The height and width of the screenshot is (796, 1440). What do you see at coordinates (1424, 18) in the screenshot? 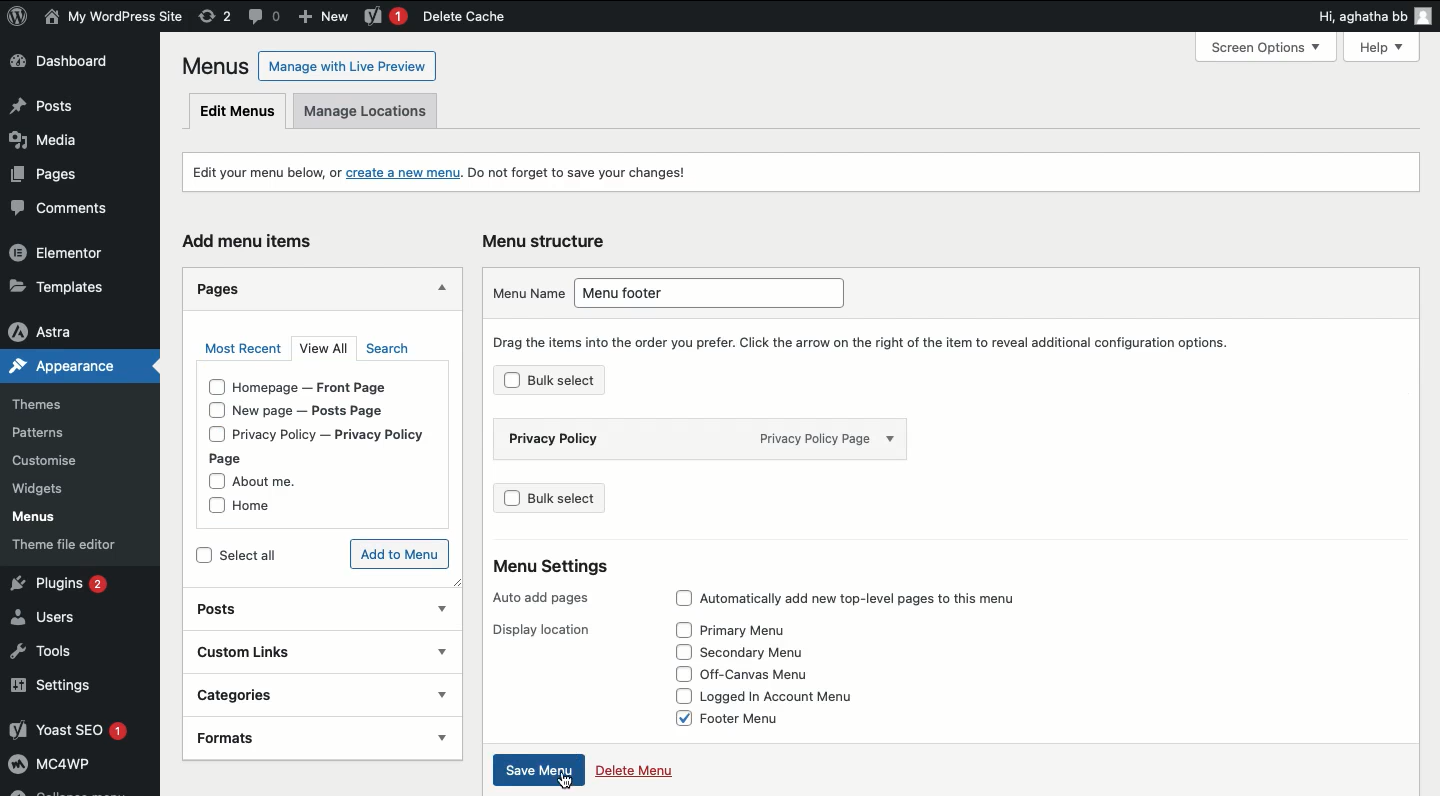
I see `user icon` at bounding box center [1424, 18].